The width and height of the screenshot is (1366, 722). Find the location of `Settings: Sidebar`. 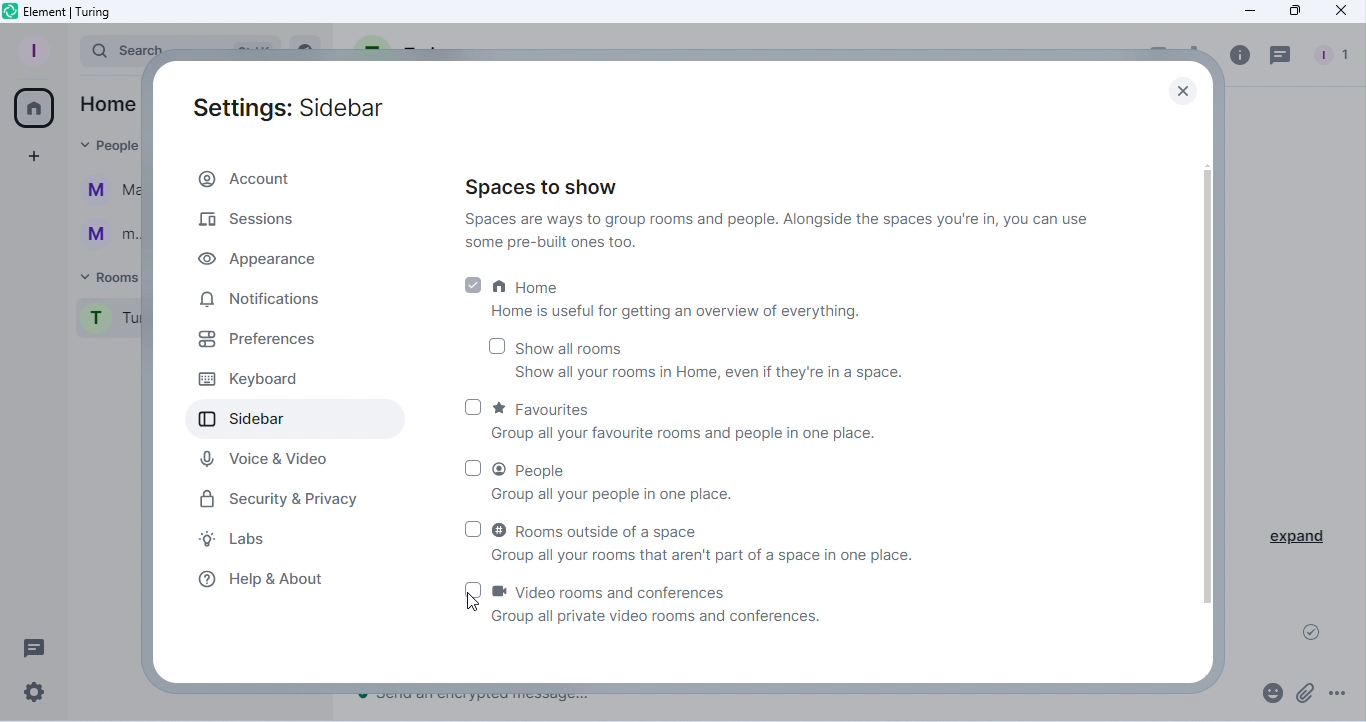

Settings: Sidebar is located at coordinates (300, 102).